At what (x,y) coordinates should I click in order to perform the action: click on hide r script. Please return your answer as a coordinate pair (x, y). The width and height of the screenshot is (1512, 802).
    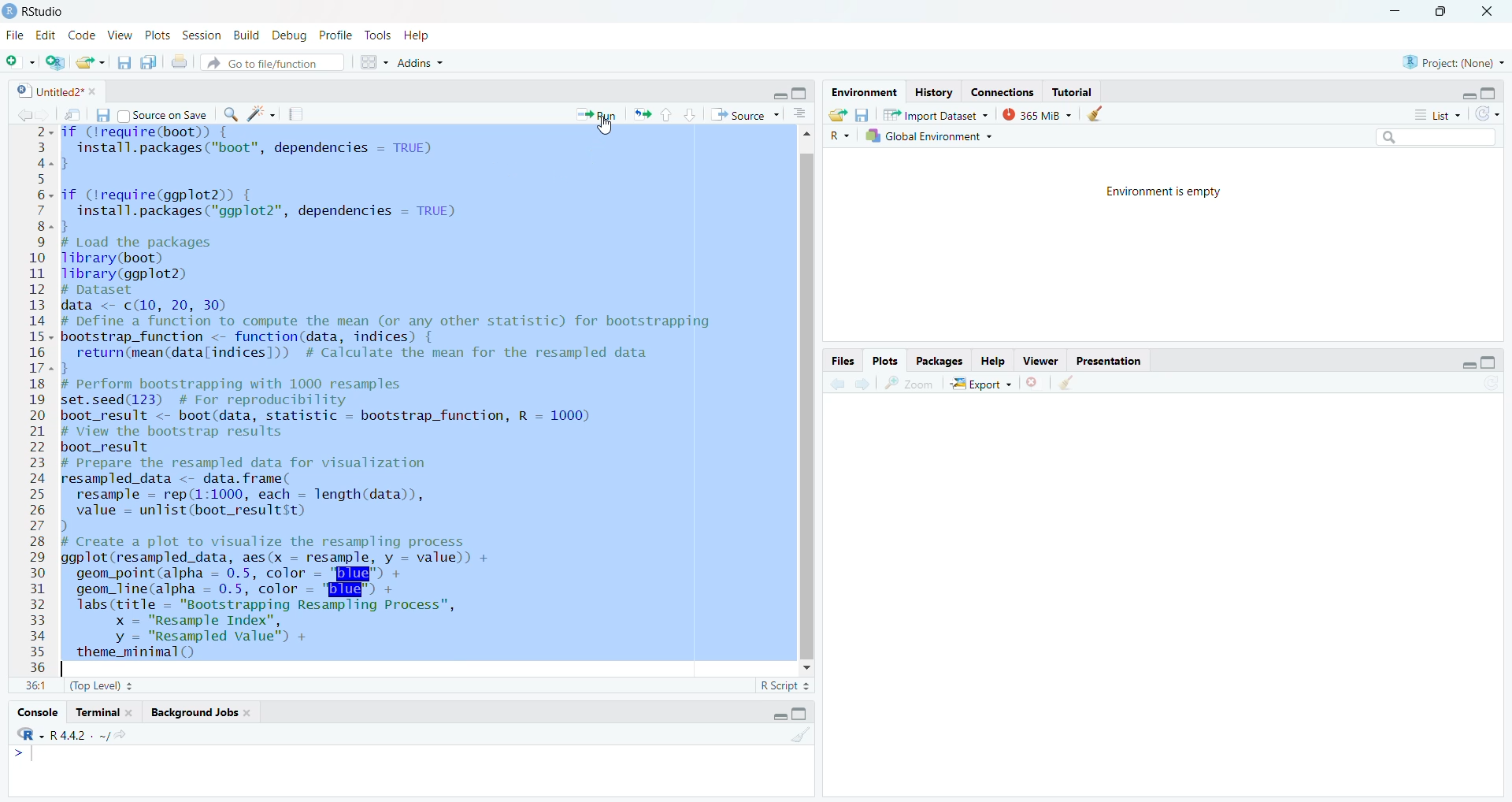
    Looking at the image, I should click on (1464, 365).